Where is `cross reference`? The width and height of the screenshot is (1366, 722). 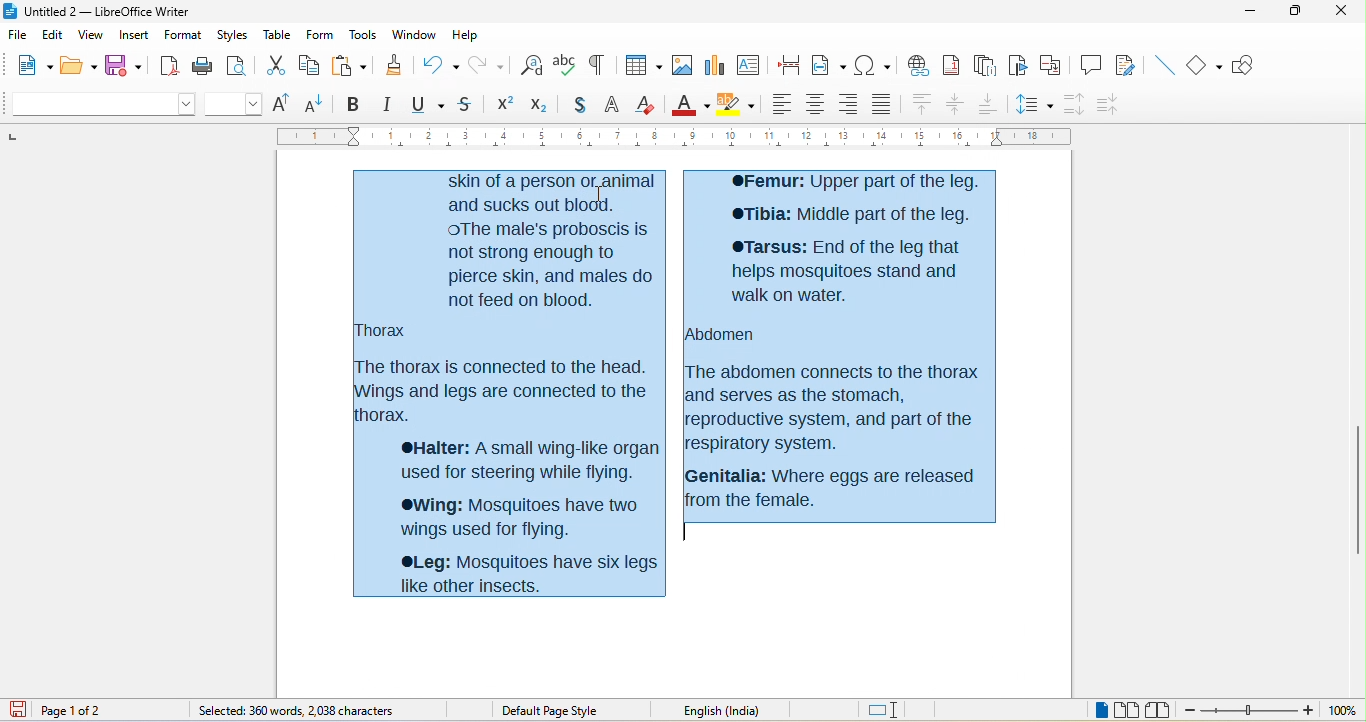 cross reference is located at coordinates (1051, 65).